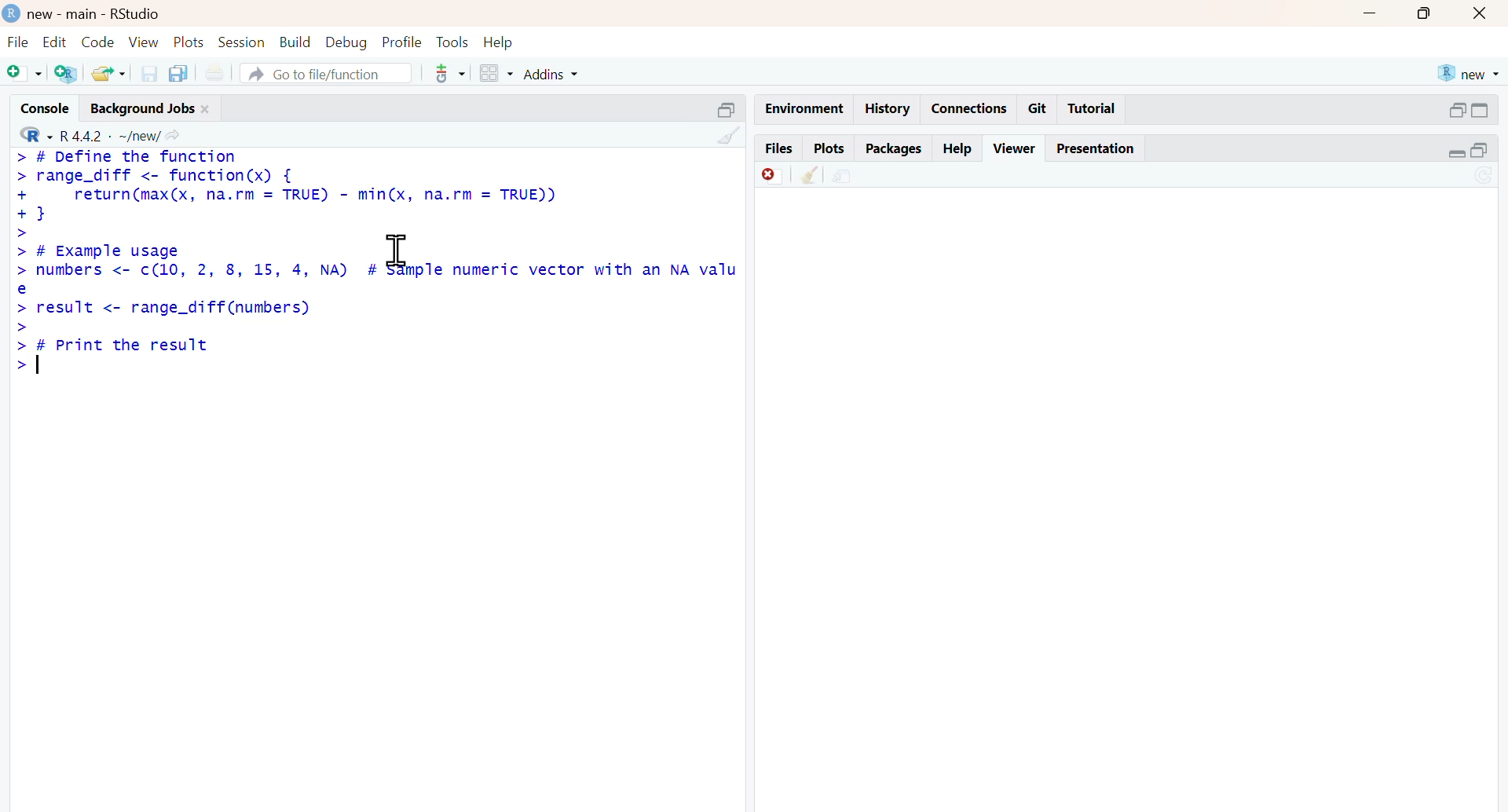 Image resolution: width=1508 pixels, height=812 pixels. I want to click on packages, so click(894, 150).